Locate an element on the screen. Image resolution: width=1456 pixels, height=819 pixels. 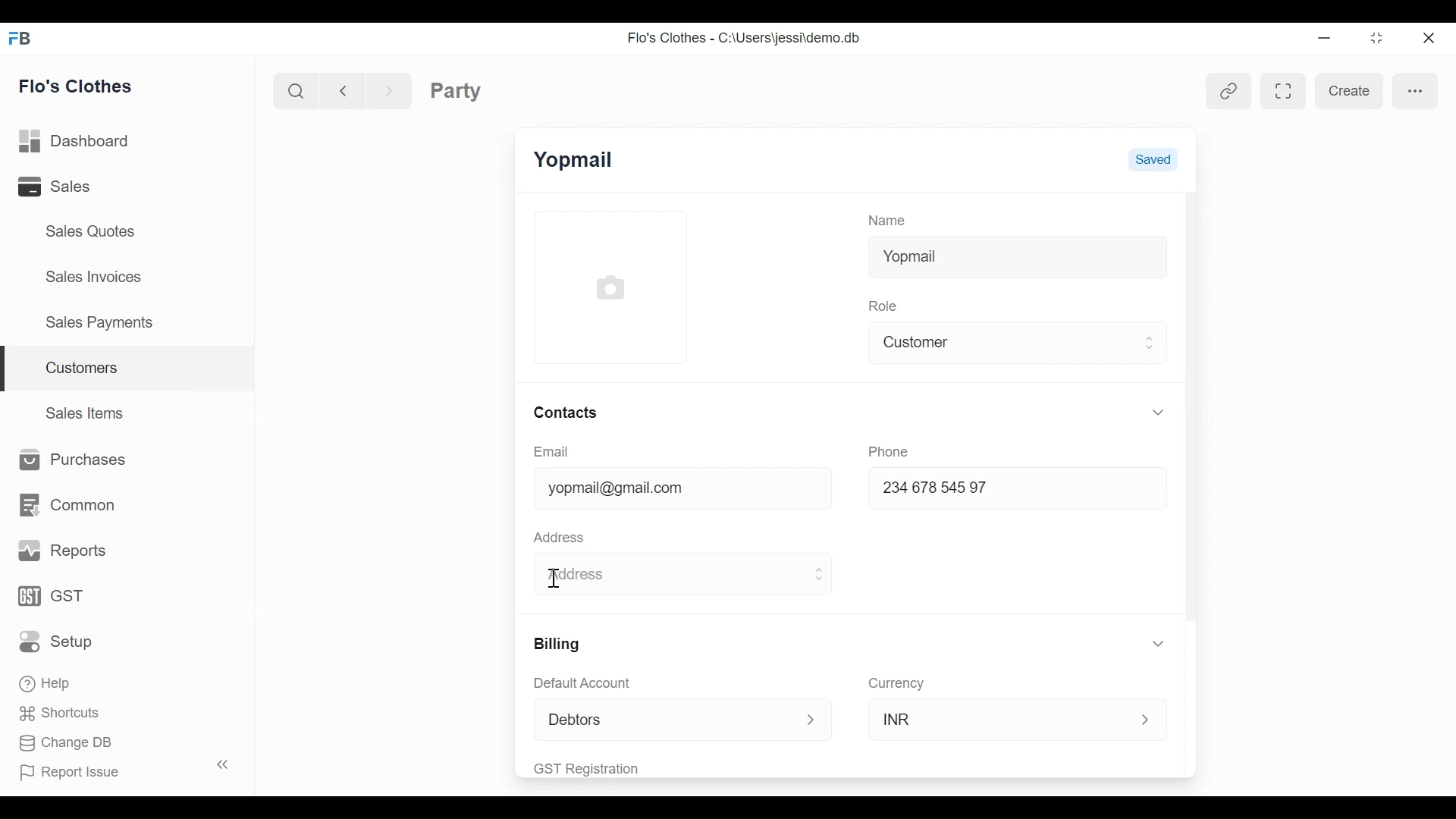
Close is located at coordinates (1426, 37).